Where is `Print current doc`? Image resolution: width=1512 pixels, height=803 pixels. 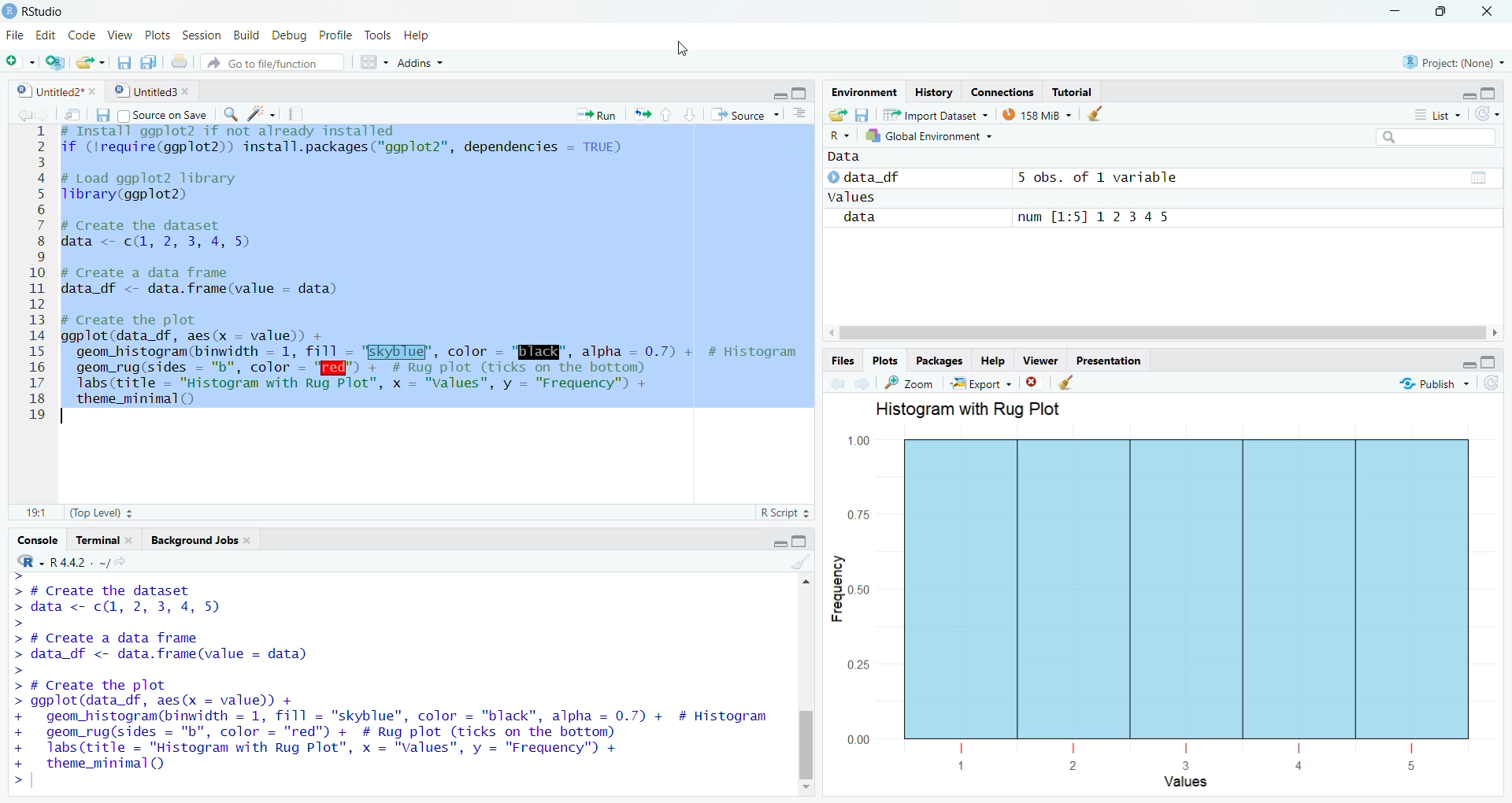
Print current doc is located at coordinates (182, 63).